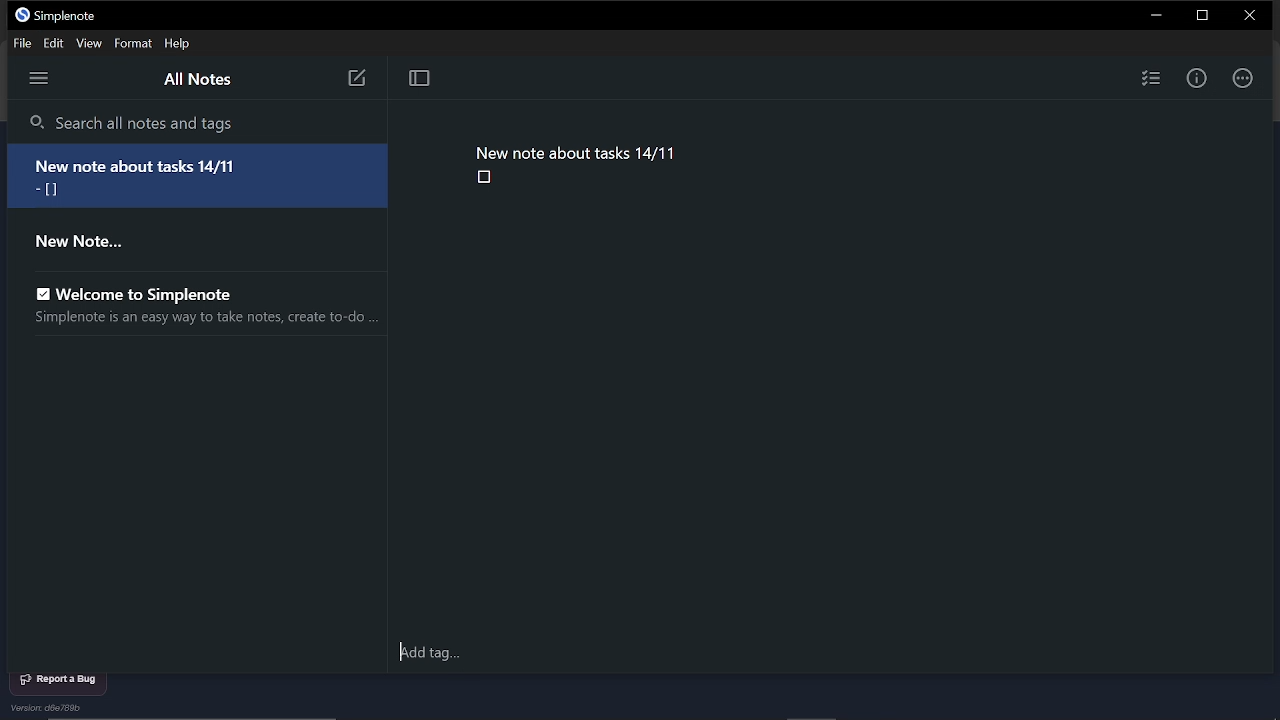 Image resolution: width=1280 pixels, height=720 pixels. Describe the element at coordinates (64, 678) in the screenshot. I see `Report a bug` at that location.